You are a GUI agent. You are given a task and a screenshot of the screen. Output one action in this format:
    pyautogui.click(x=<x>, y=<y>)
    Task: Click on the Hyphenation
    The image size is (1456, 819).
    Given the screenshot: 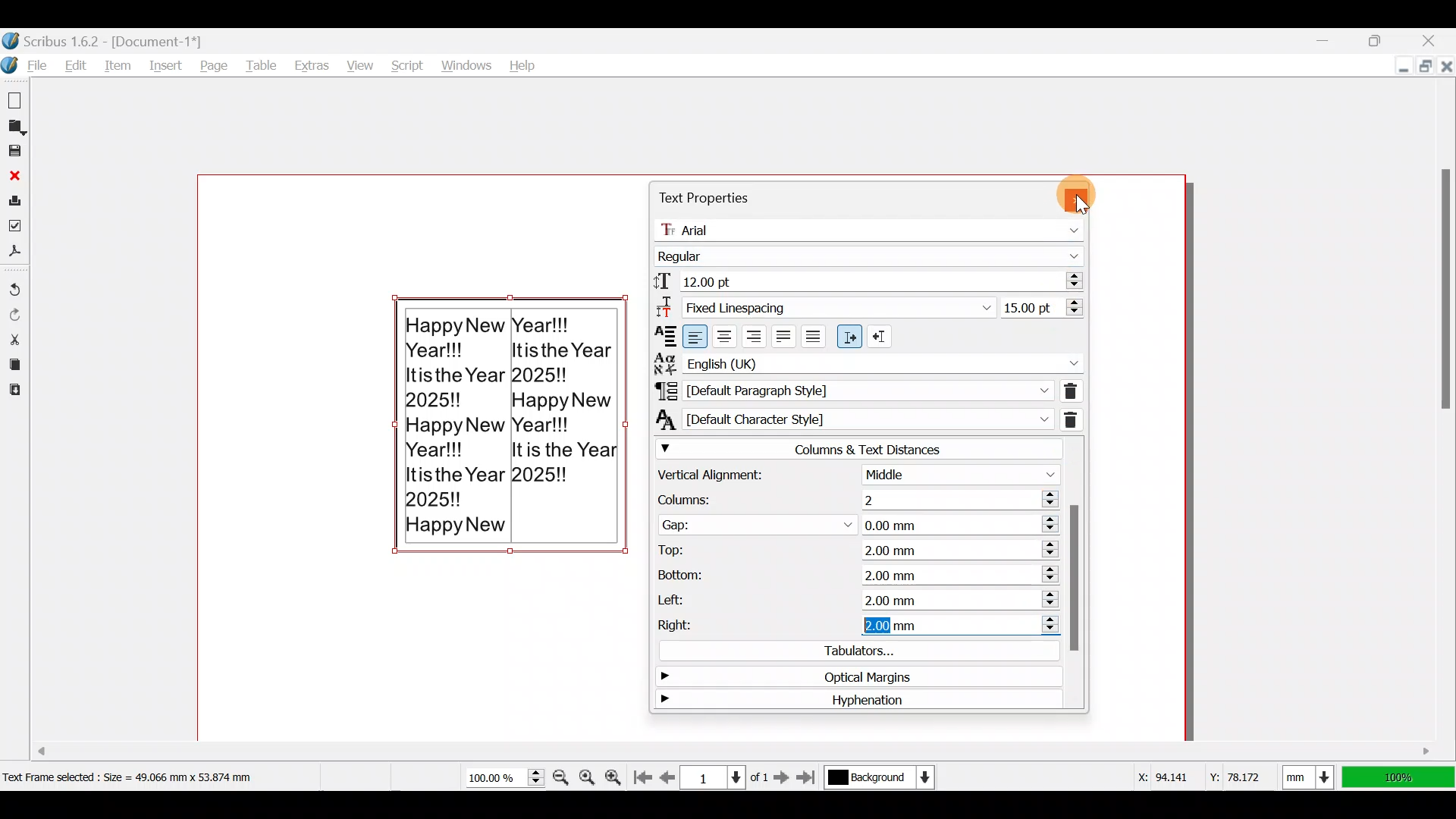 What is the action you would take?
    pyautogui.click(x=849, y=701)
    